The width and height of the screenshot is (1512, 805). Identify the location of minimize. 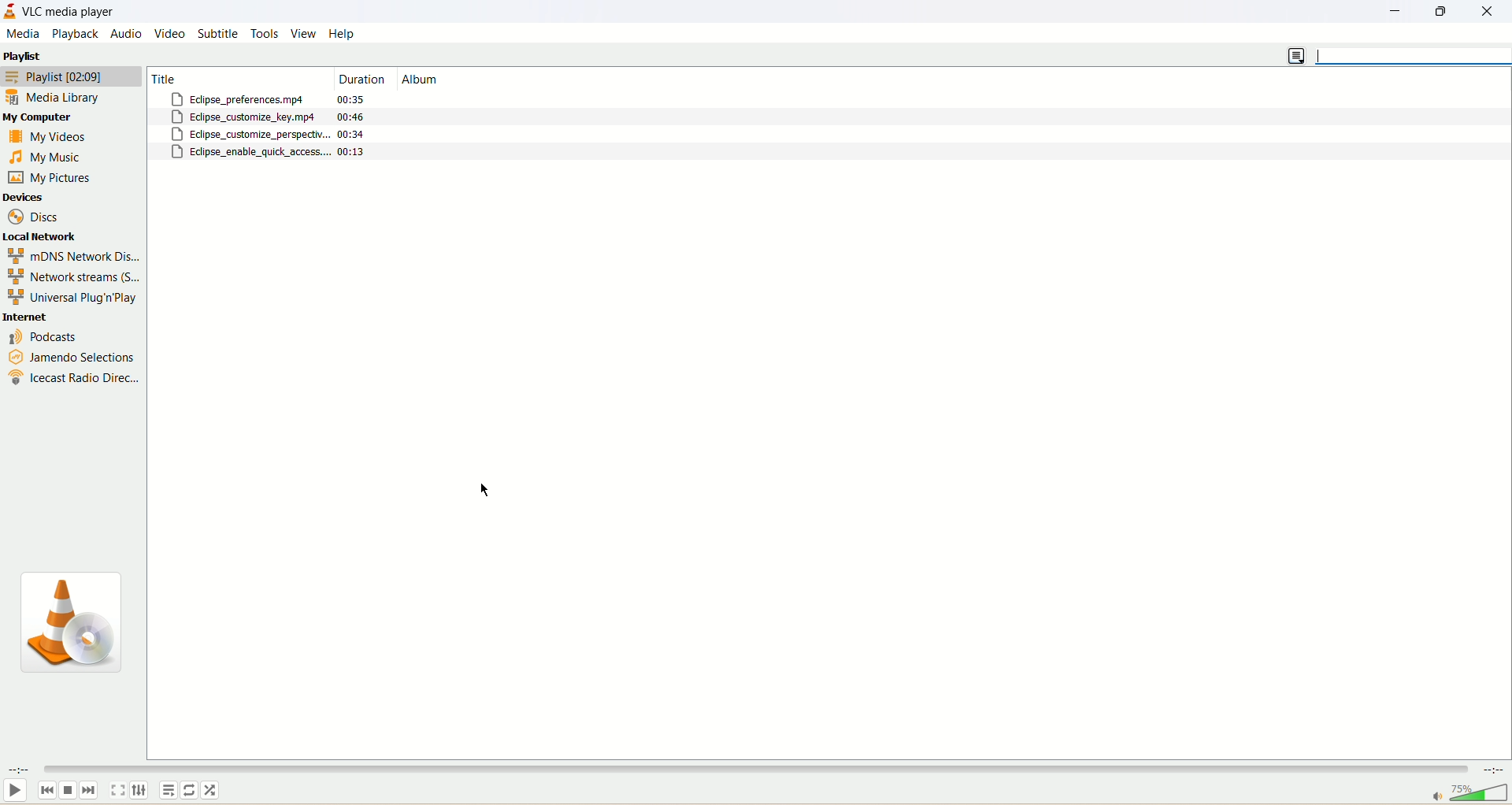
(1403, 11).